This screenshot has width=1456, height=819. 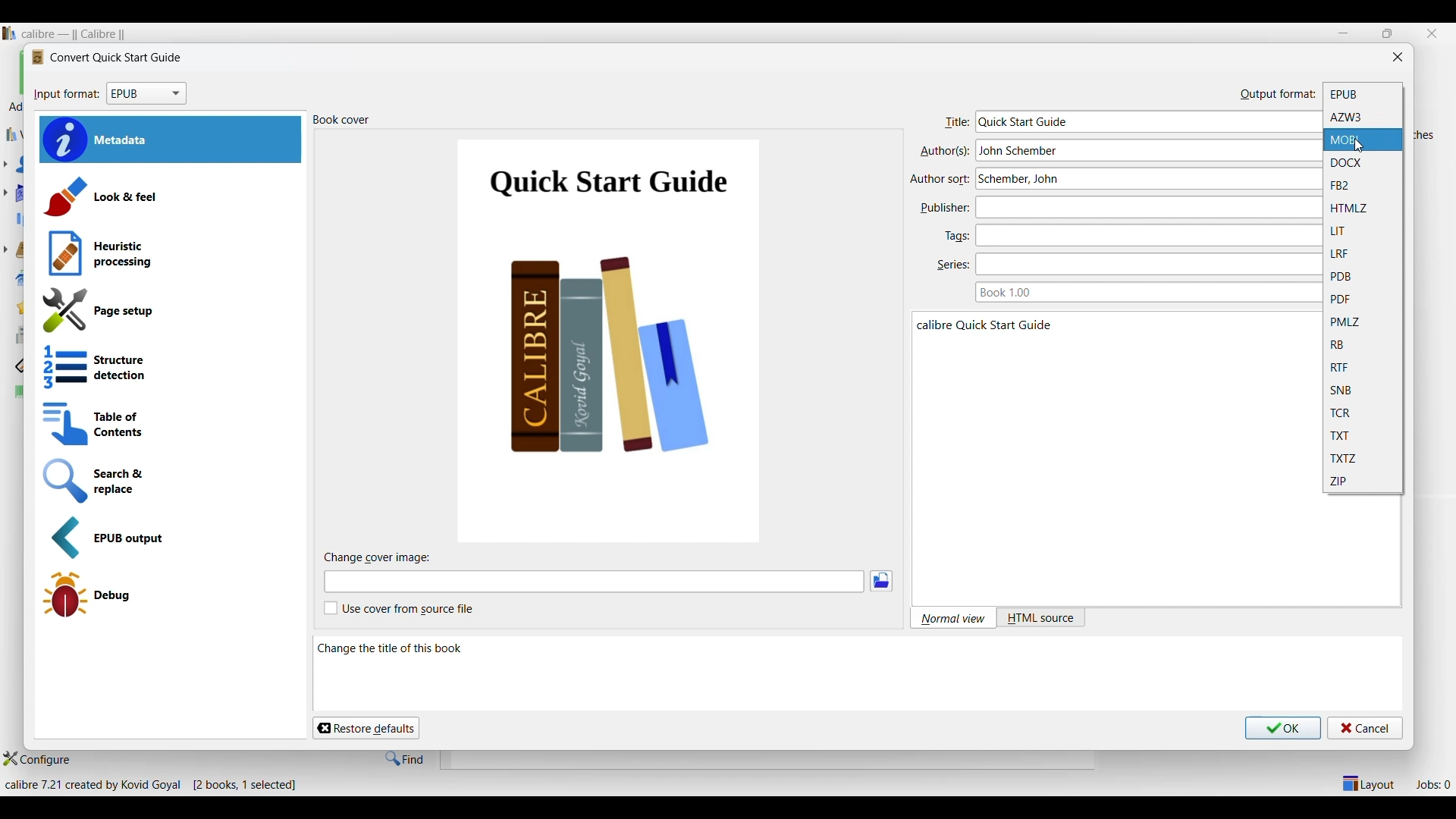 What do you see at coordinates (171, 538) in the screenshot?
I see `EPUB output` at bounding box center [171, 538].